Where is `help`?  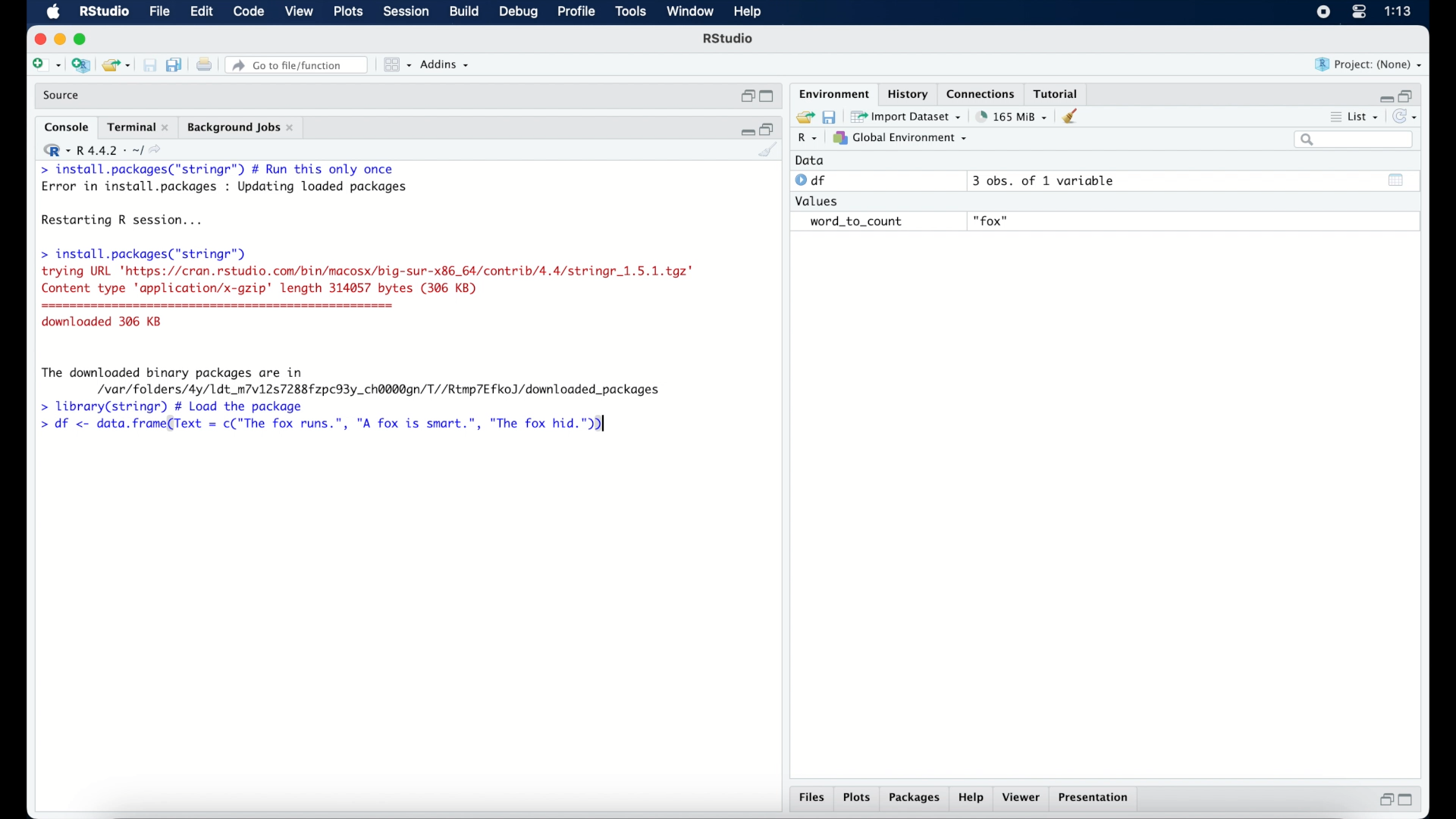
help is located at coordinates (750, 13).